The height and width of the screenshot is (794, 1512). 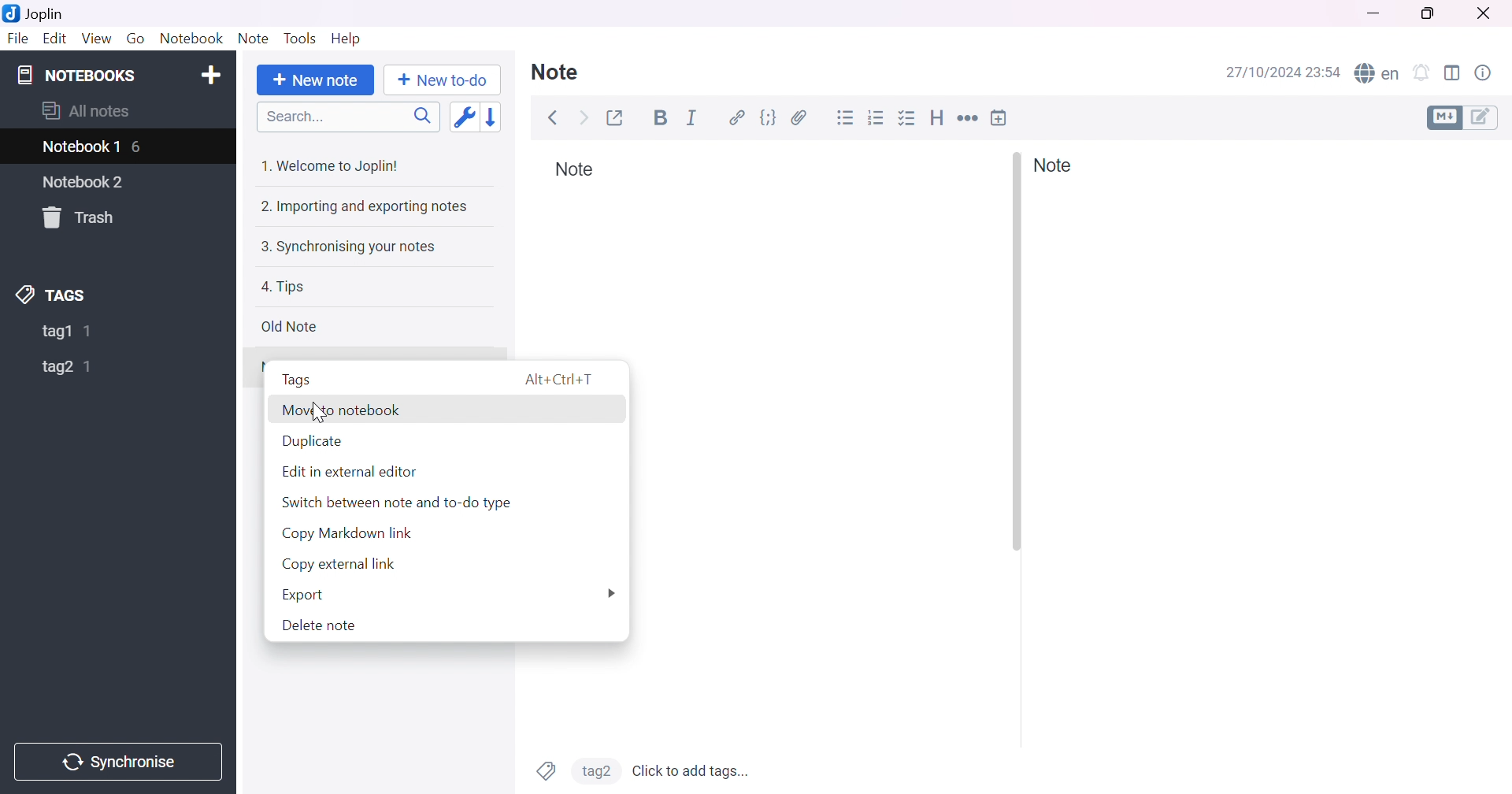 What do you see at coordinates (395, 502) in the screenshot?
I see `Switch between note and to-do type` at bounding box center [395, 502].